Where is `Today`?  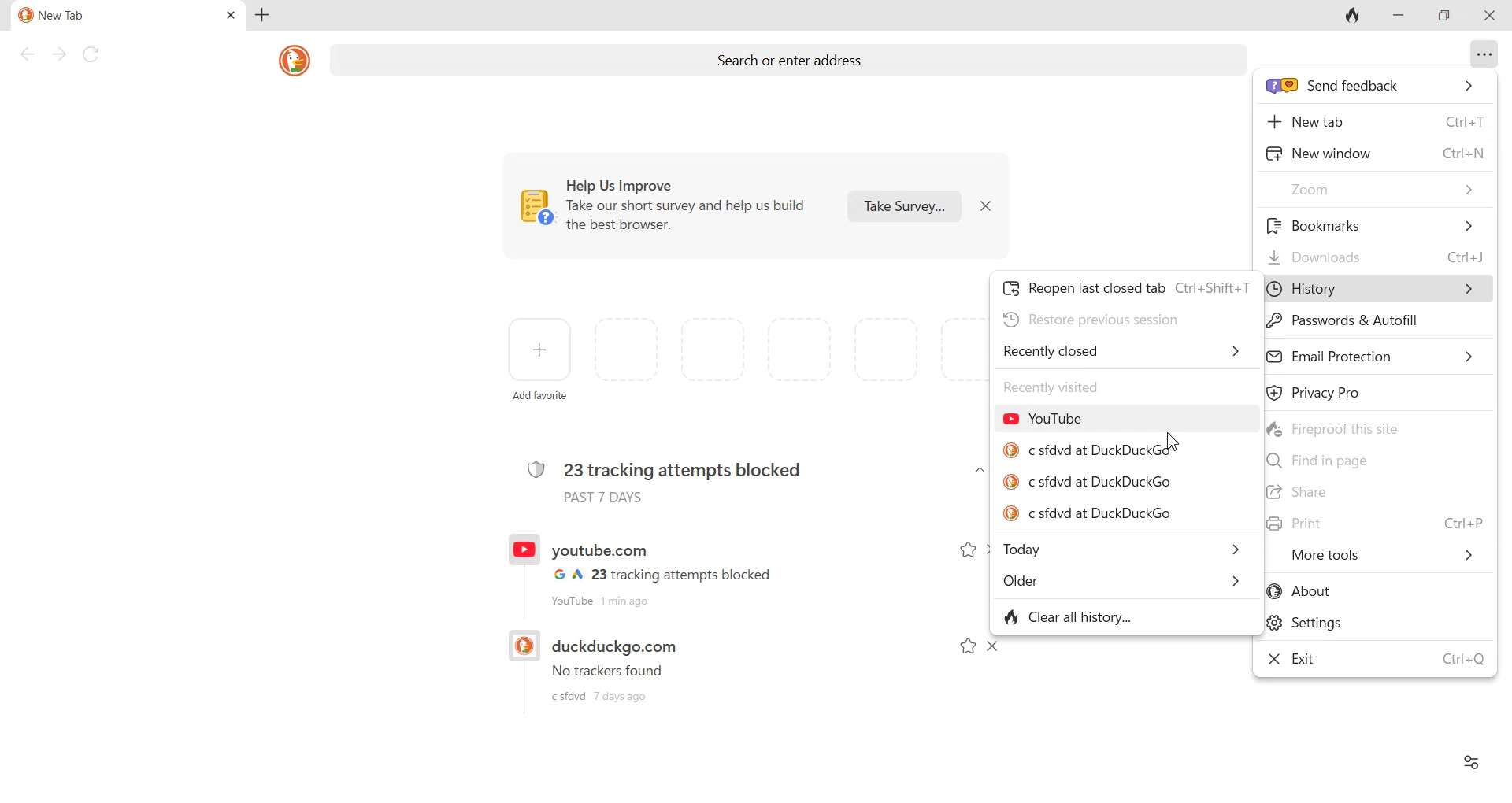 Today is located at coordinates (1118, 548).